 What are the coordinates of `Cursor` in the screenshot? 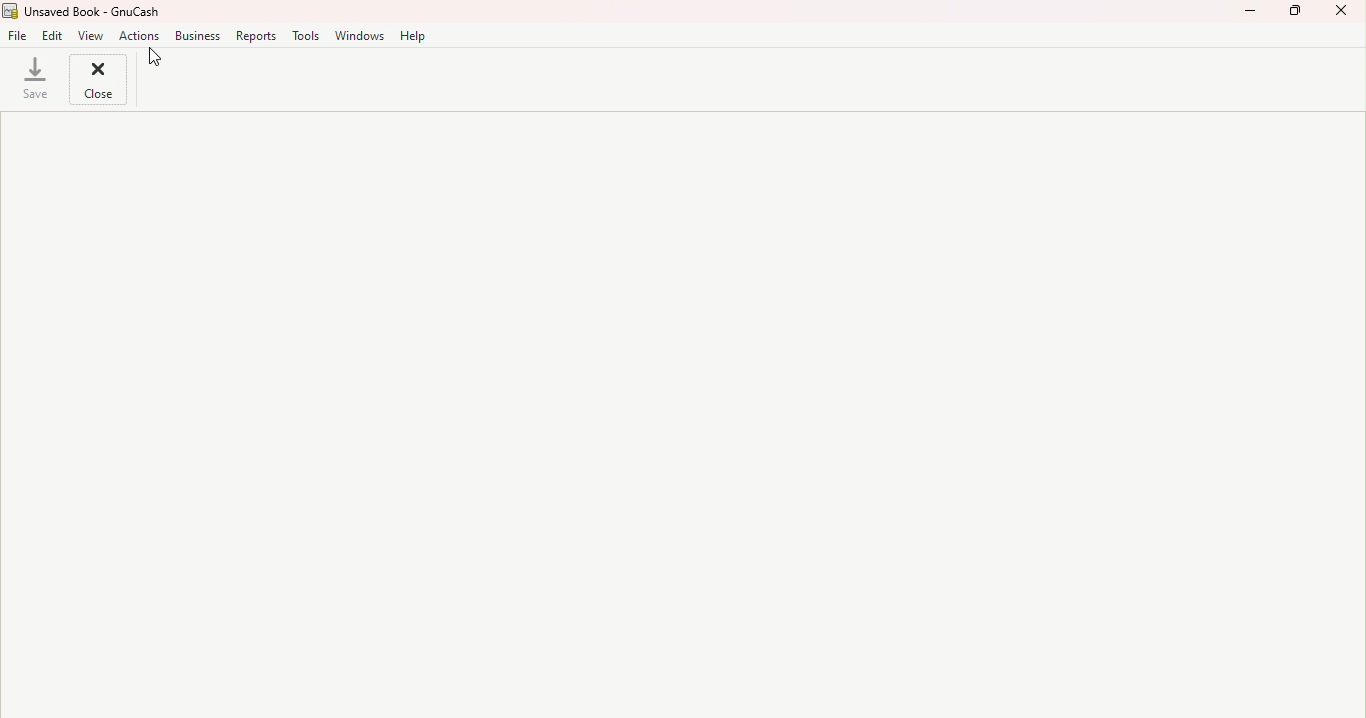 It's located at (157, 60).